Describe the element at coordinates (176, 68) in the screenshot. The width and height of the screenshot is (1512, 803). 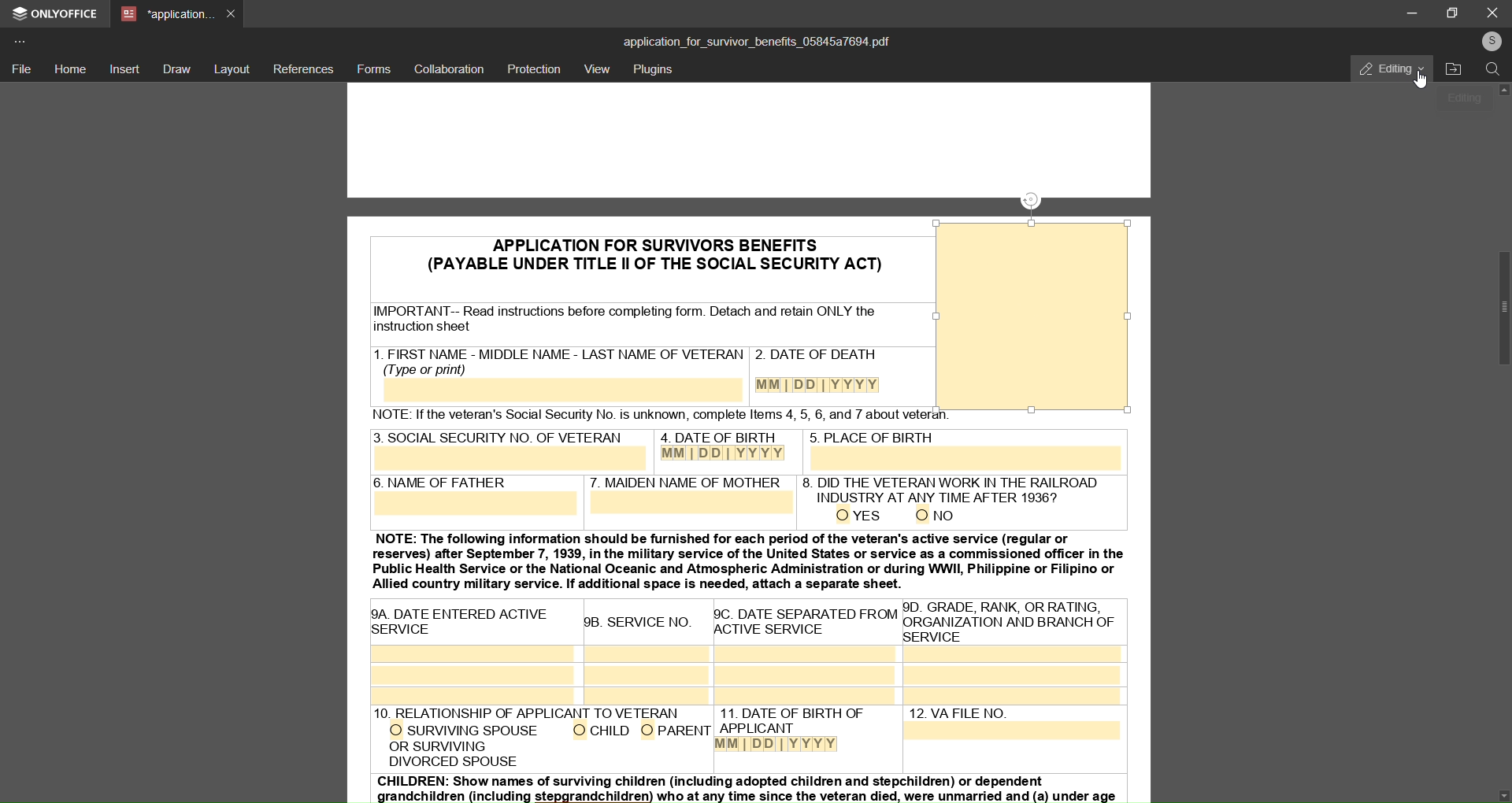
I see `draw` at that location.